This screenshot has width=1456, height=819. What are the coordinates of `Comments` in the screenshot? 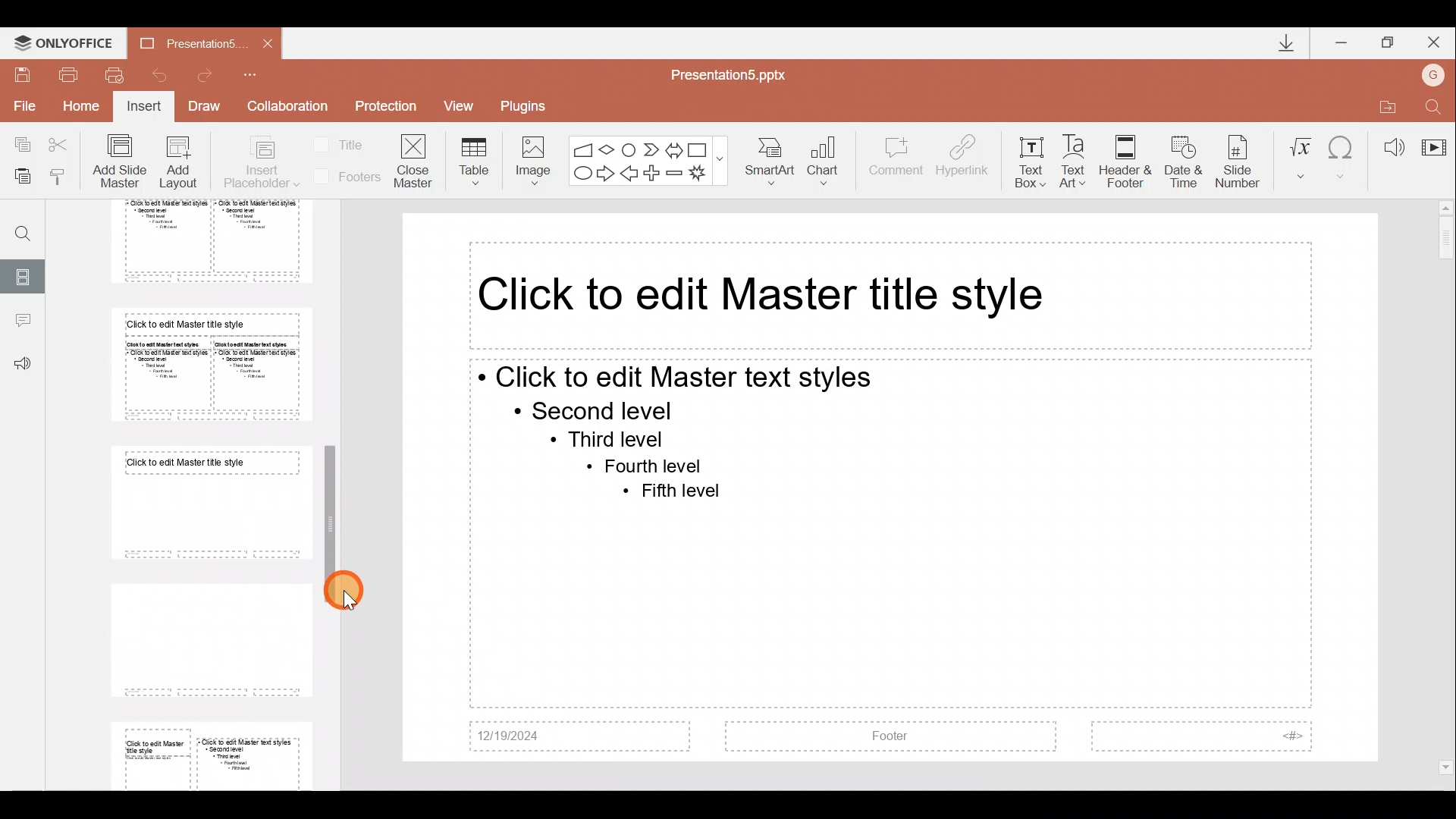 It's located at (22, 322).